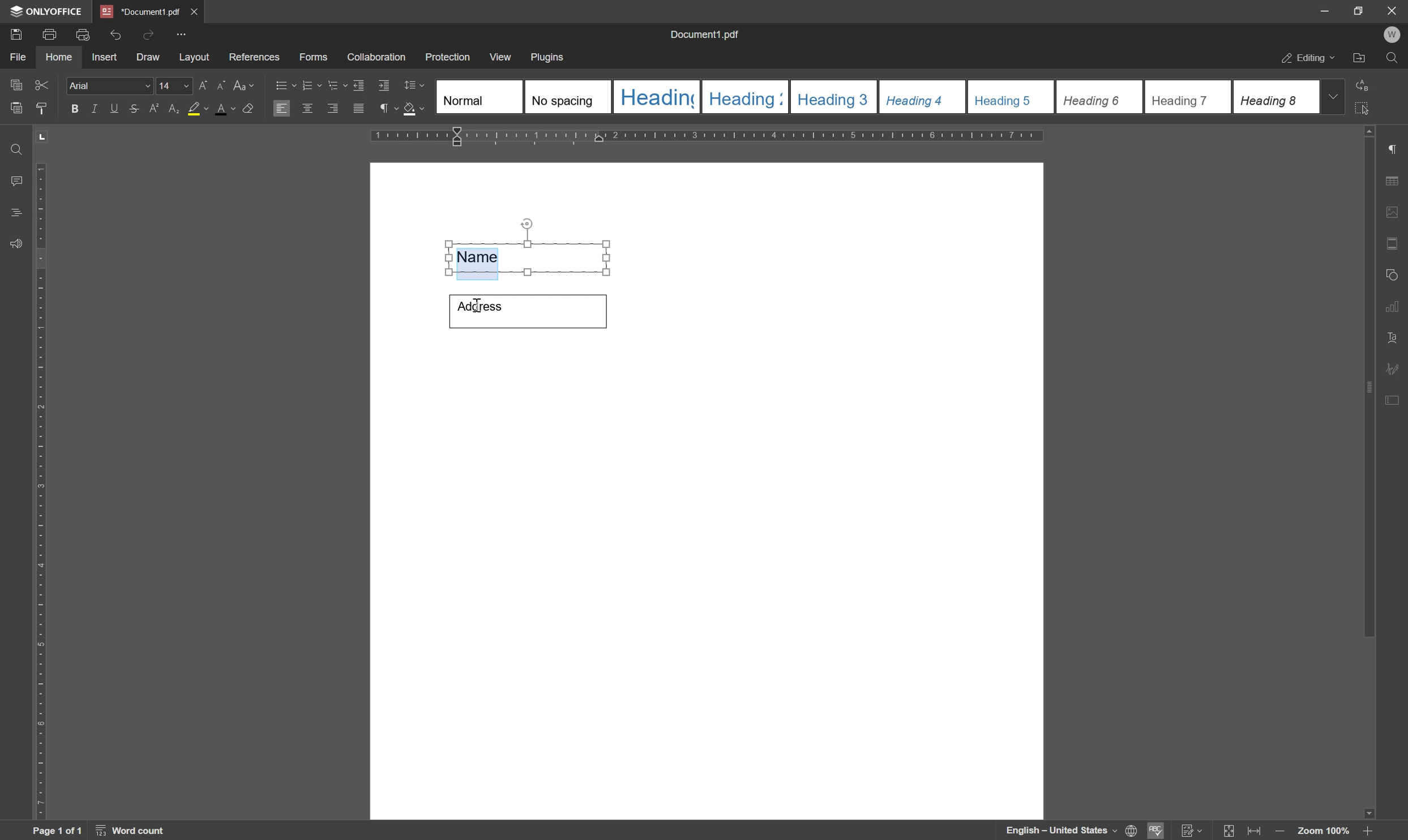 This screenshot has height=840, width=1408. I want to click on Align right, so click(333, 109).